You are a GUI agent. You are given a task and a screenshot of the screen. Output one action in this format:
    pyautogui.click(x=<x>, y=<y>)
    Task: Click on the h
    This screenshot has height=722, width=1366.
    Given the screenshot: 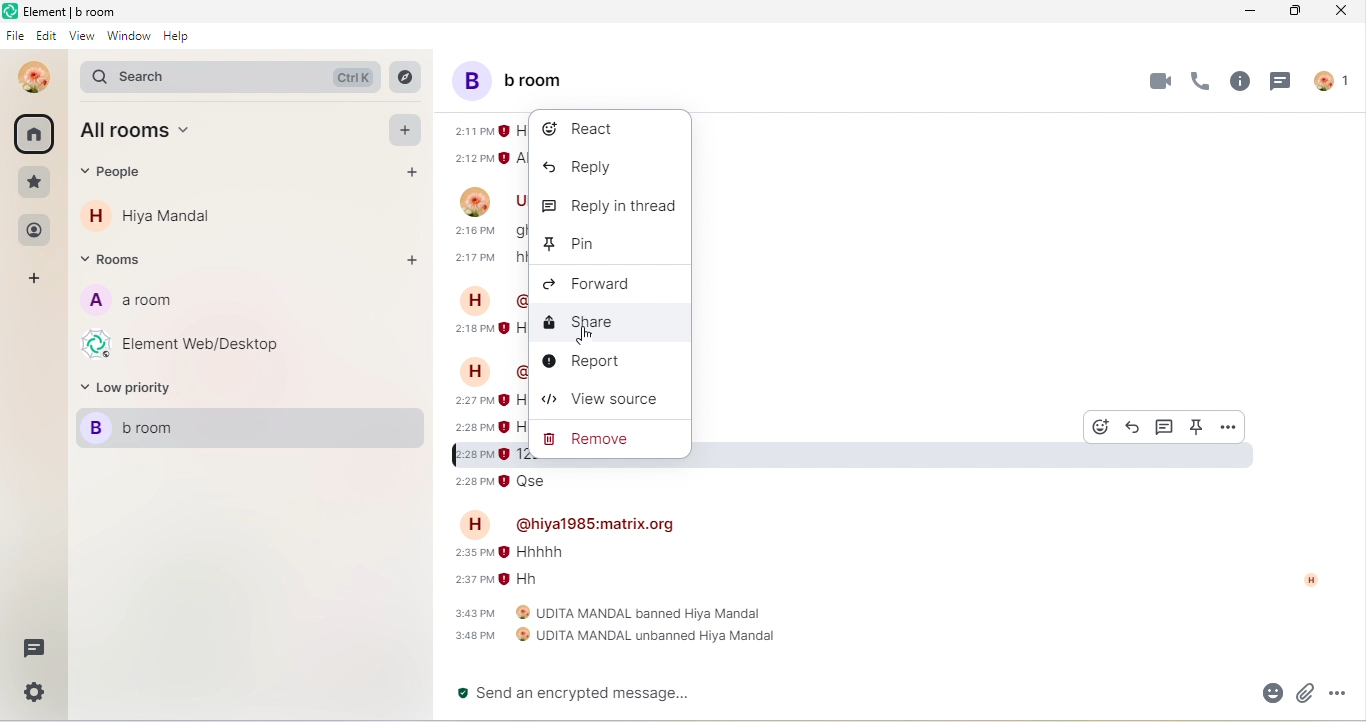 What is the action you would take?
    pyautogui.click(x=1305, y=579)
    